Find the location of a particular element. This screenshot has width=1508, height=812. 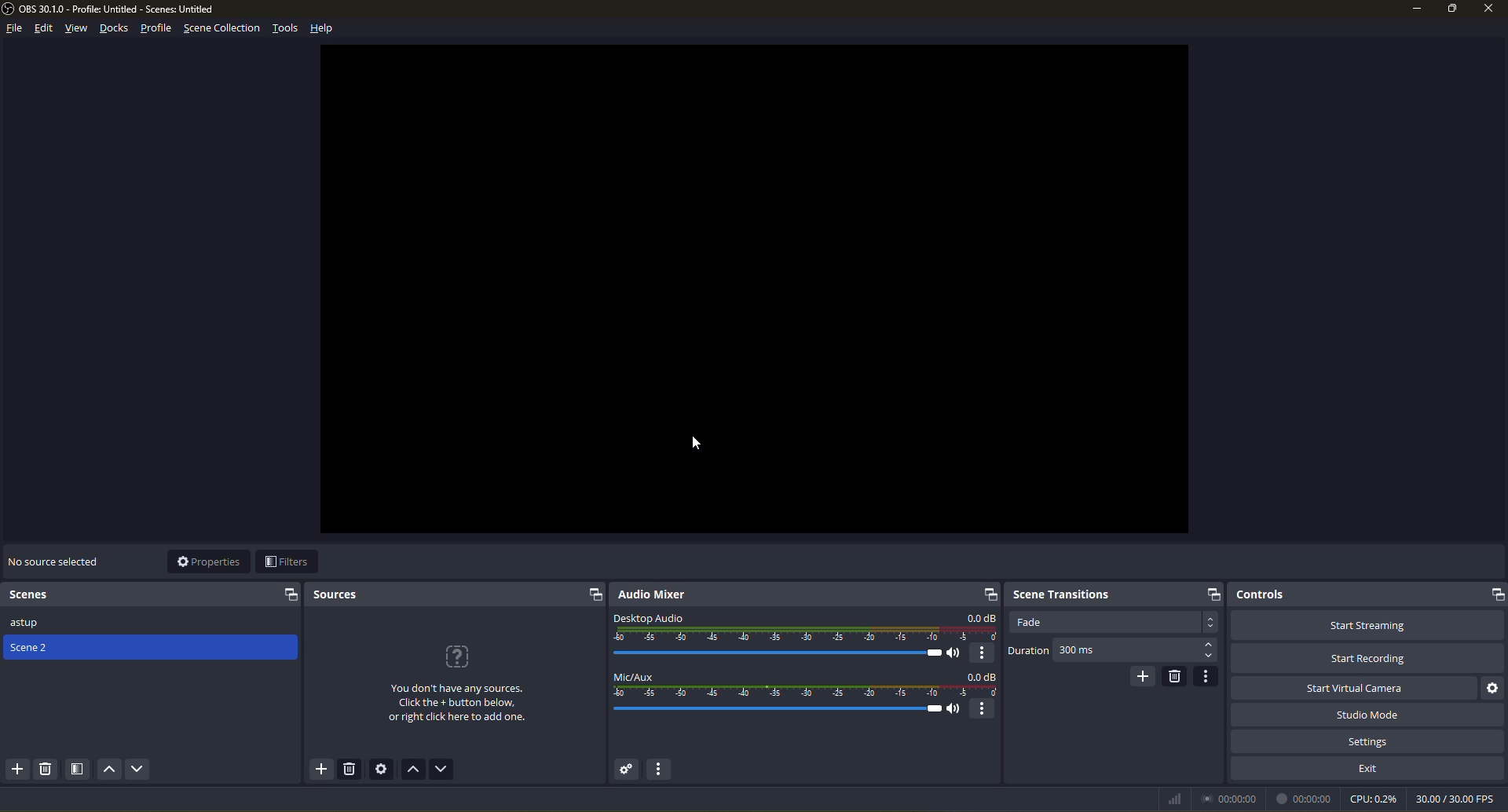

open scene filters is located at coordinates (79, 769).